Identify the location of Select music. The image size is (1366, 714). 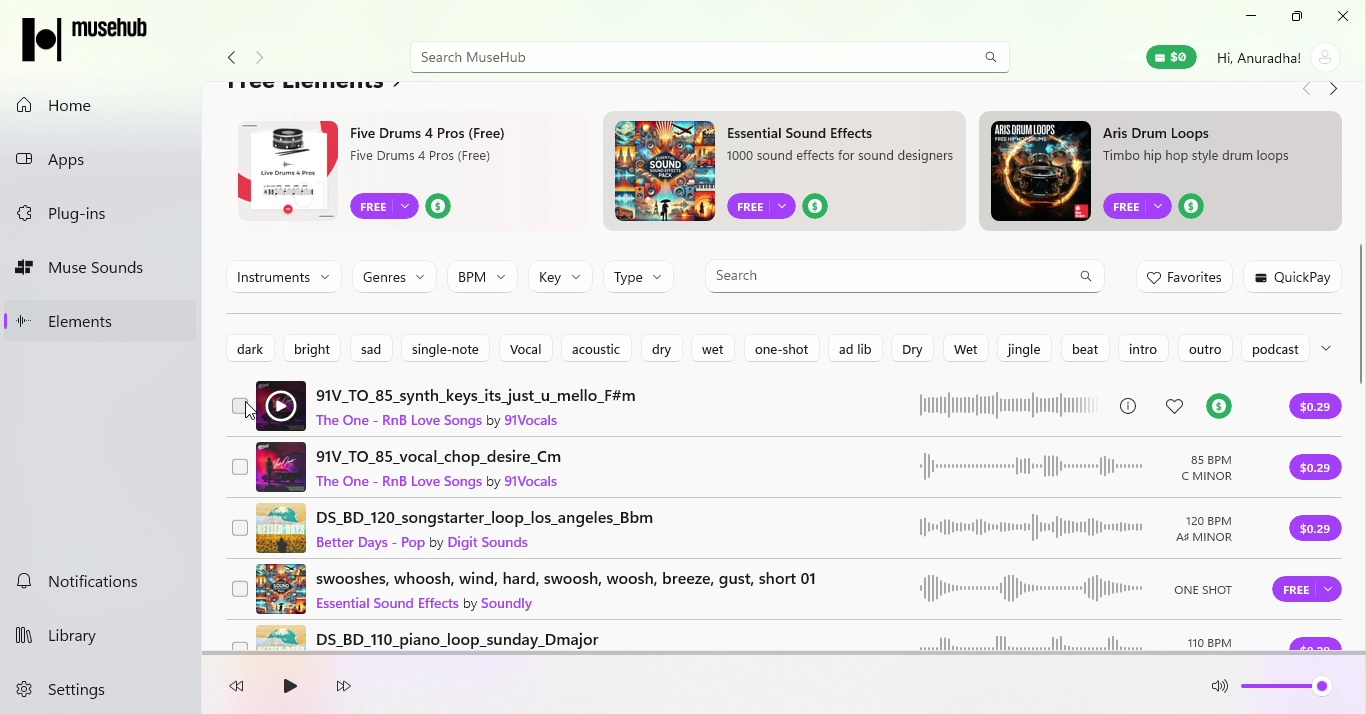
(240, 469).